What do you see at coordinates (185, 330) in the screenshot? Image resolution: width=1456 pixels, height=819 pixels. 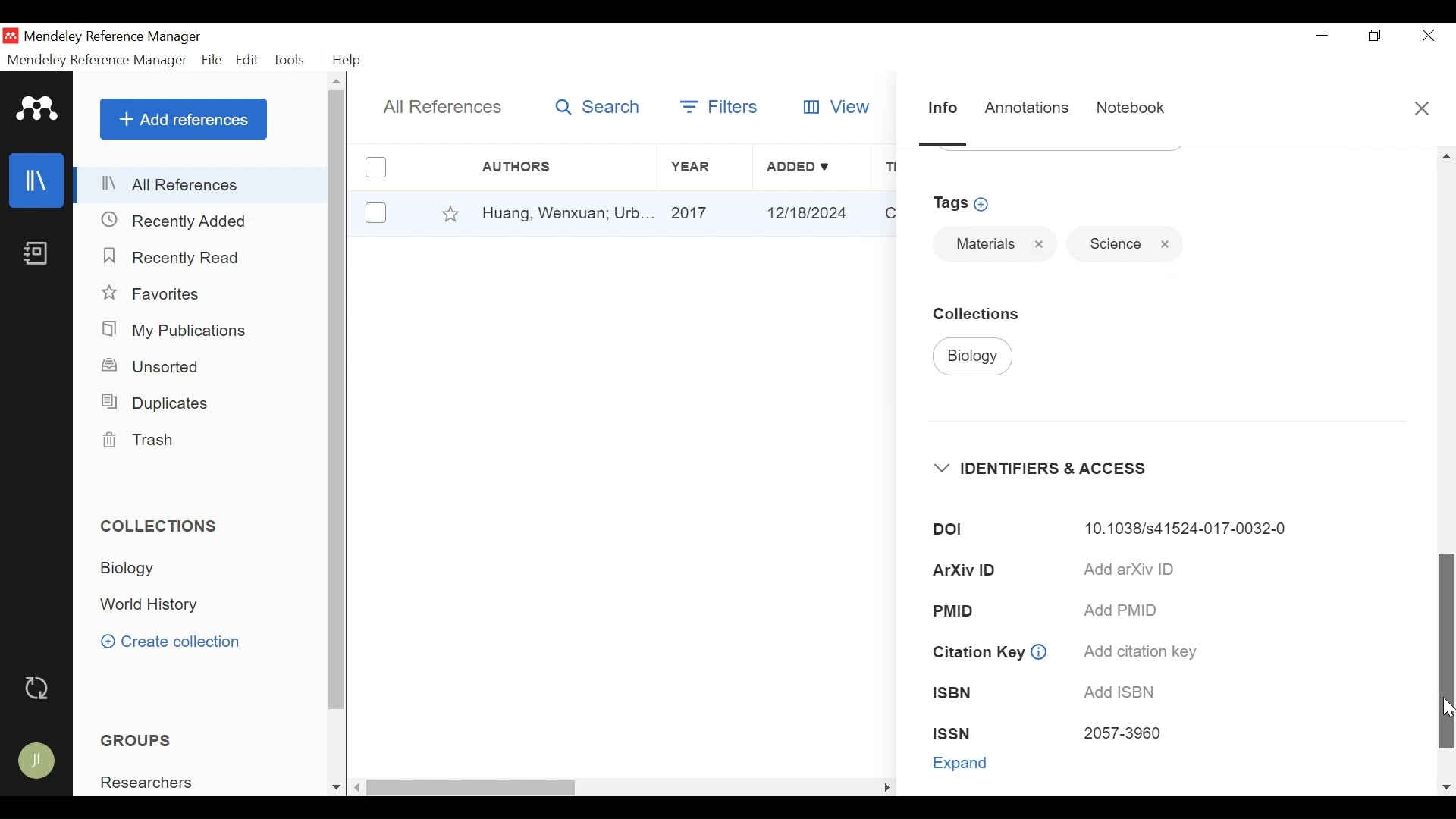 I see `My Publications` at bounding box center [185, 330].